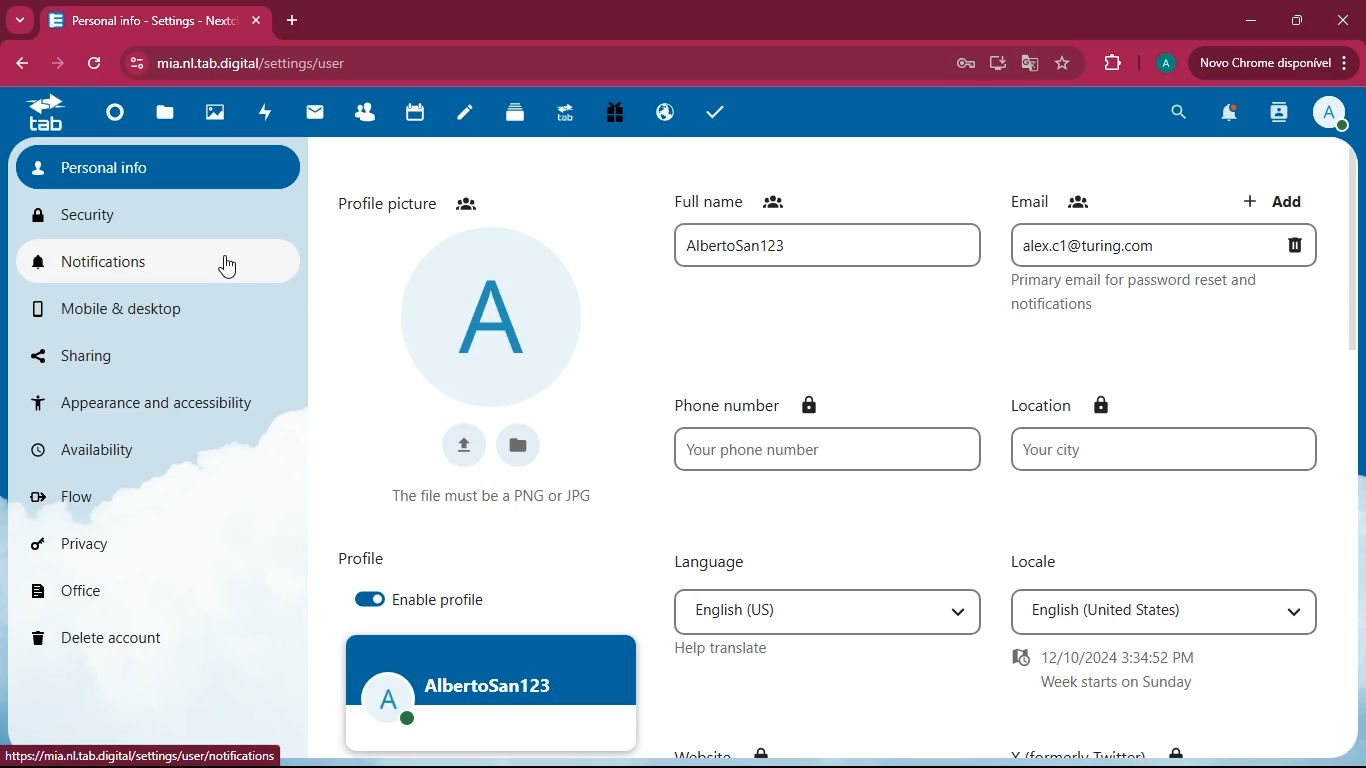  What do you see at coordinates (109, 117) in the screenshot?
I see `home` at bounding box center [109, 117].